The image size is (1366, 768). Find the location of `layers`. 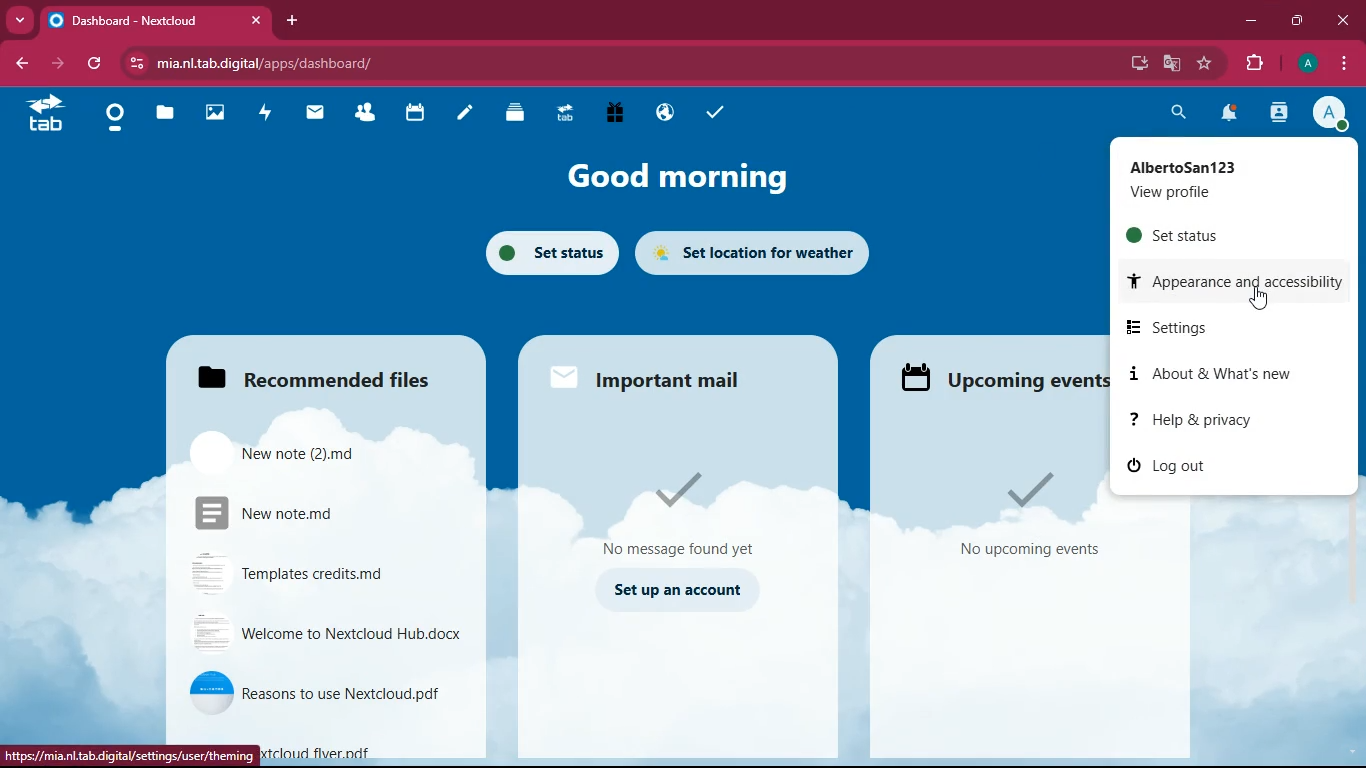

layers is located at coordinates (511, 115).